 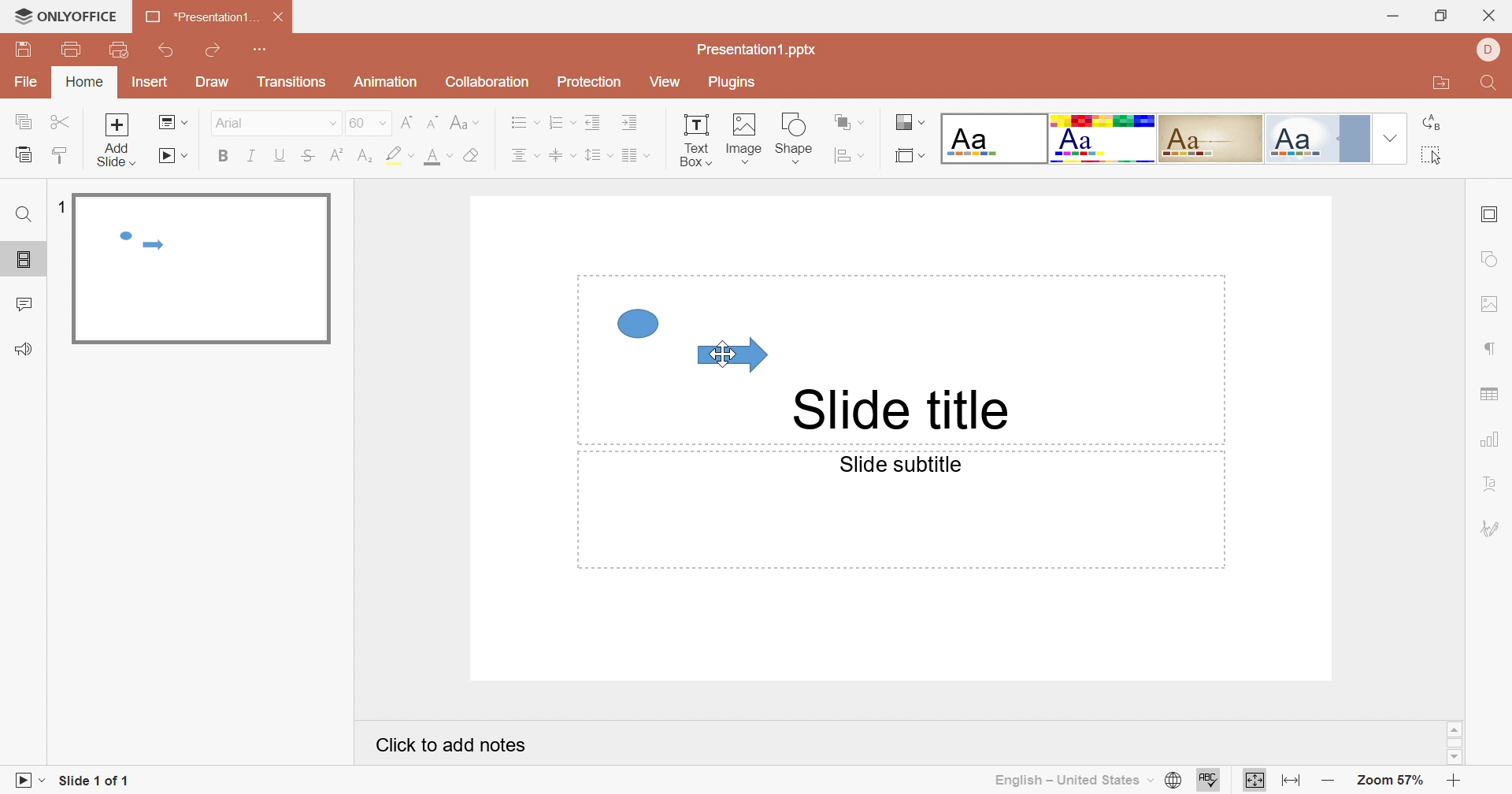 I want to click on Slides, so click(x=22, y=258).